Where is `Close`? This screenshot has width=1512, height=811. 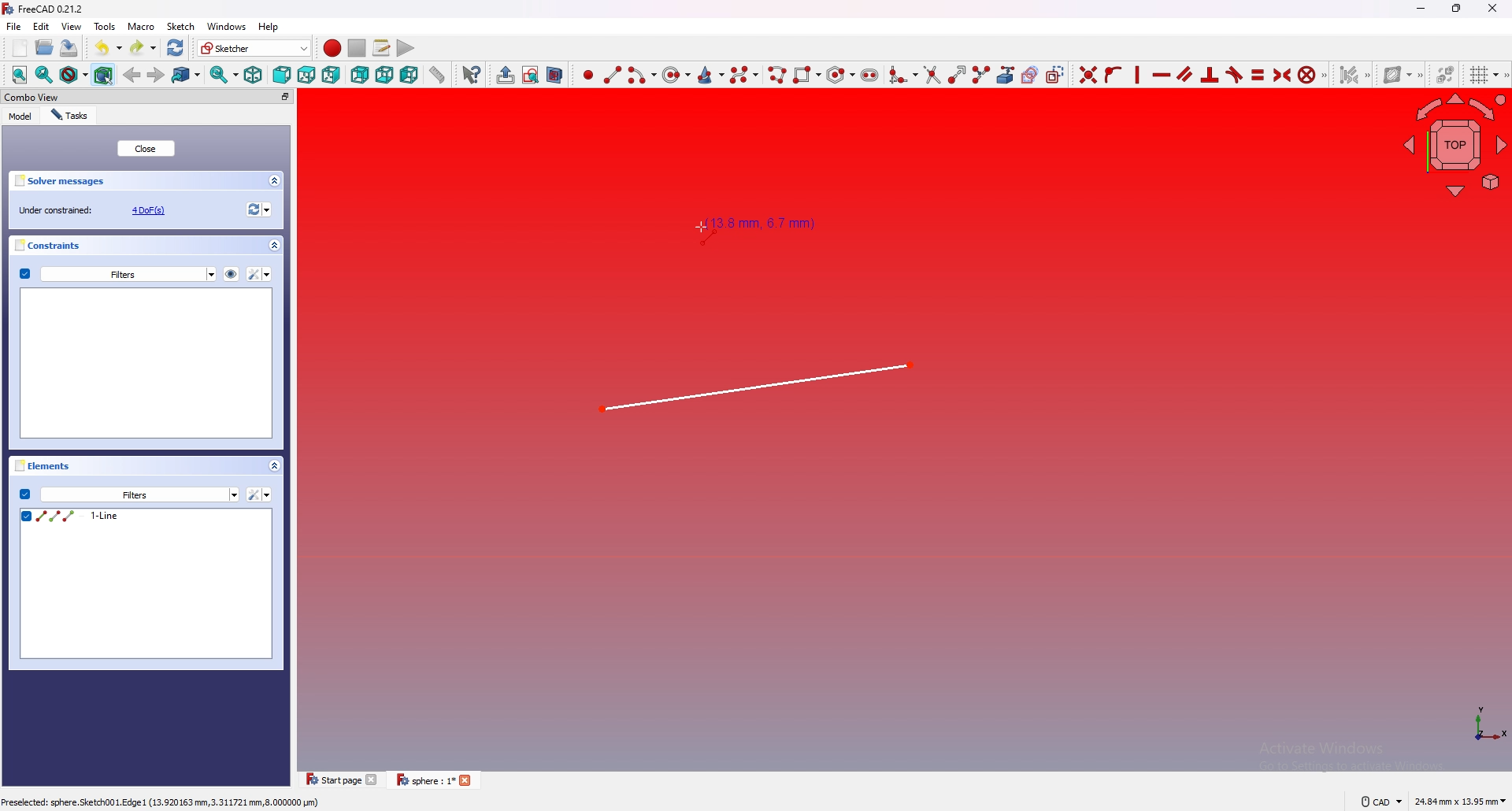
Close is located at coordinates (147, 149).